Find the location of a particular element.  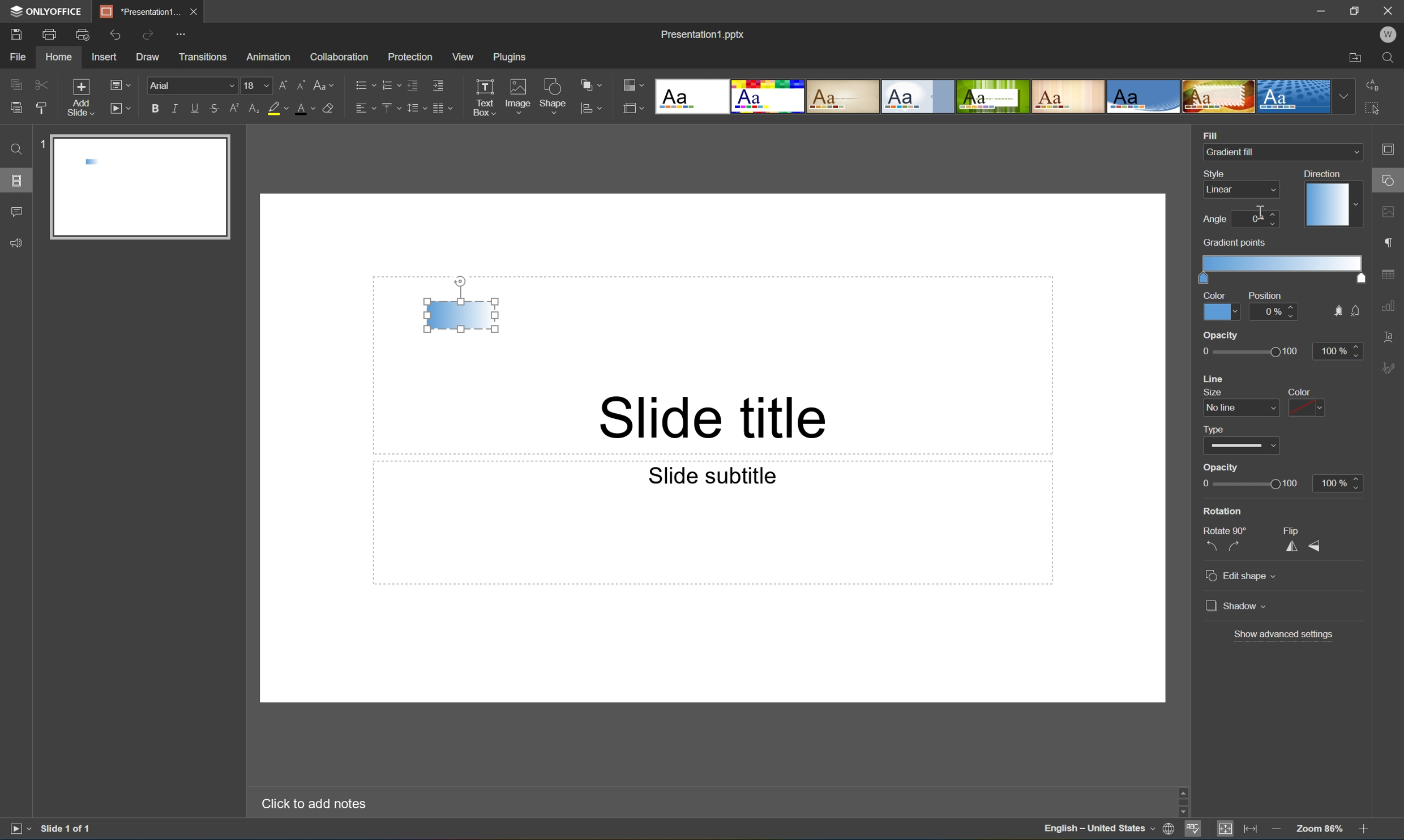

Font is located at coordinates (194, 86).